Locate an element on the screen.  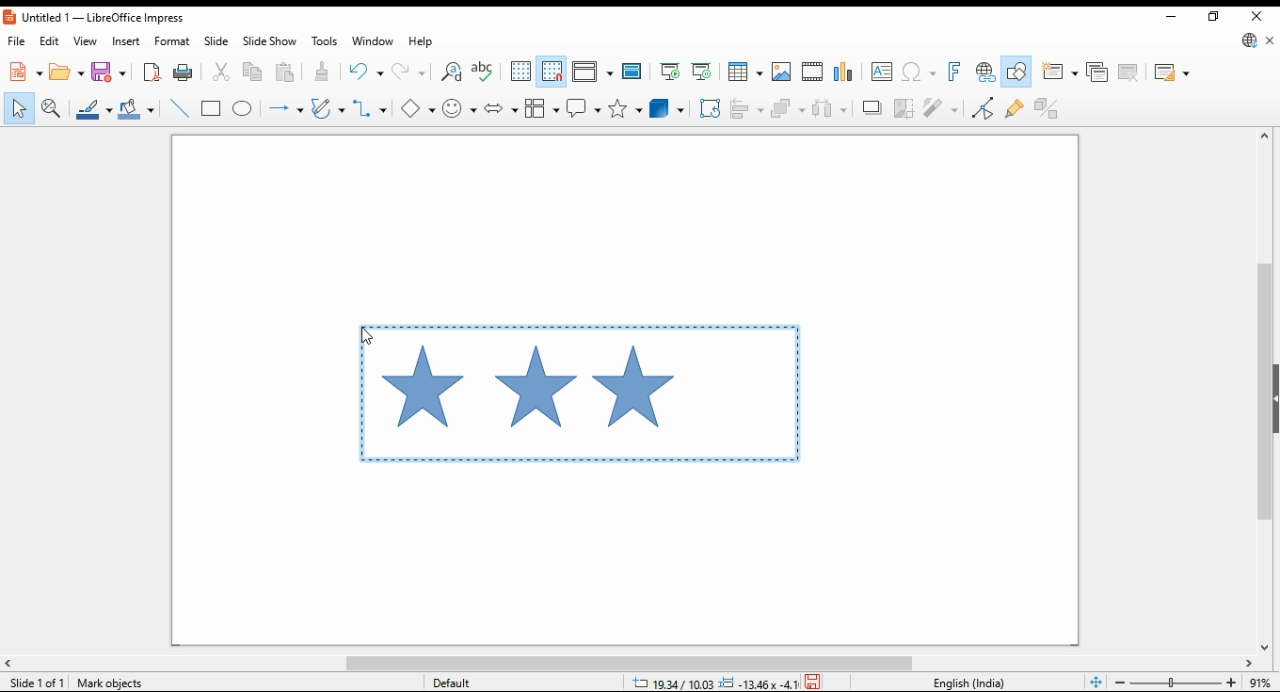
fill color is located at coordinates (139, 108).